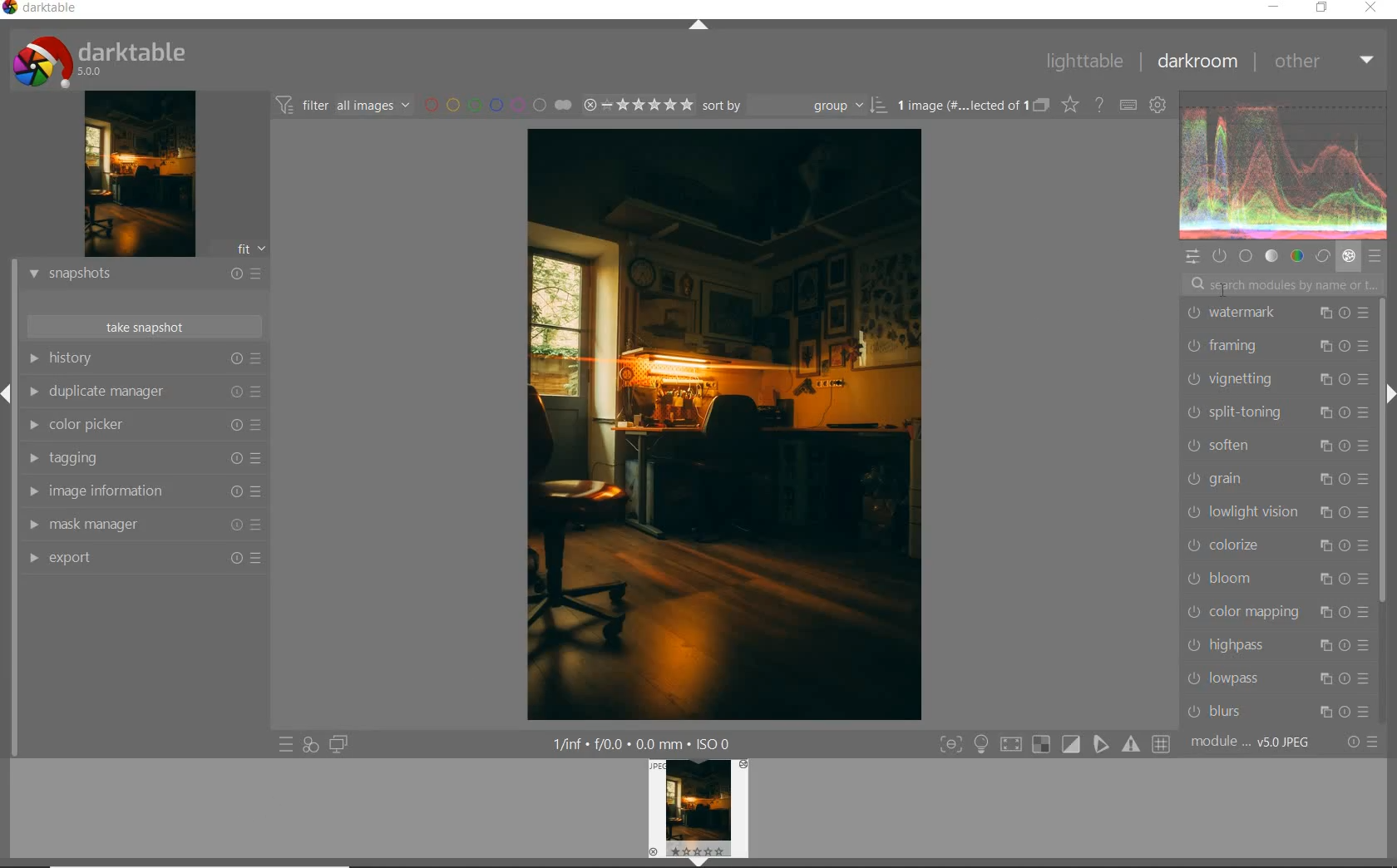 Image resolution: width=1397 pixels, height=868 pixels. What do you see at coordinates (1276, 445) in the screenshot?
I see `soften` at bounding box center [1276, 445].